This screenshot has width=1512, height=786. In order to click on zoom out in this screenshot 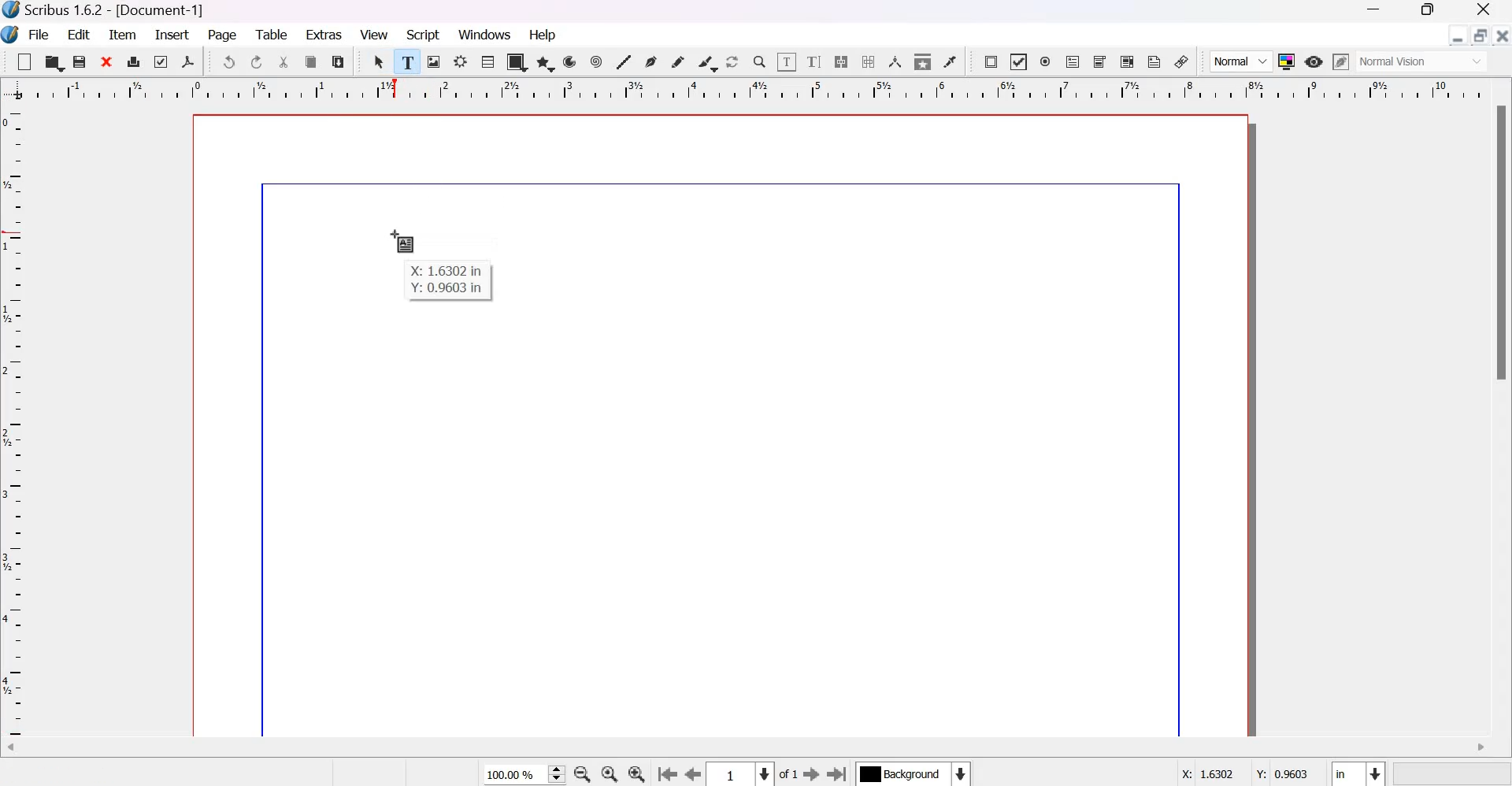, I will do `click(582, 774)`.